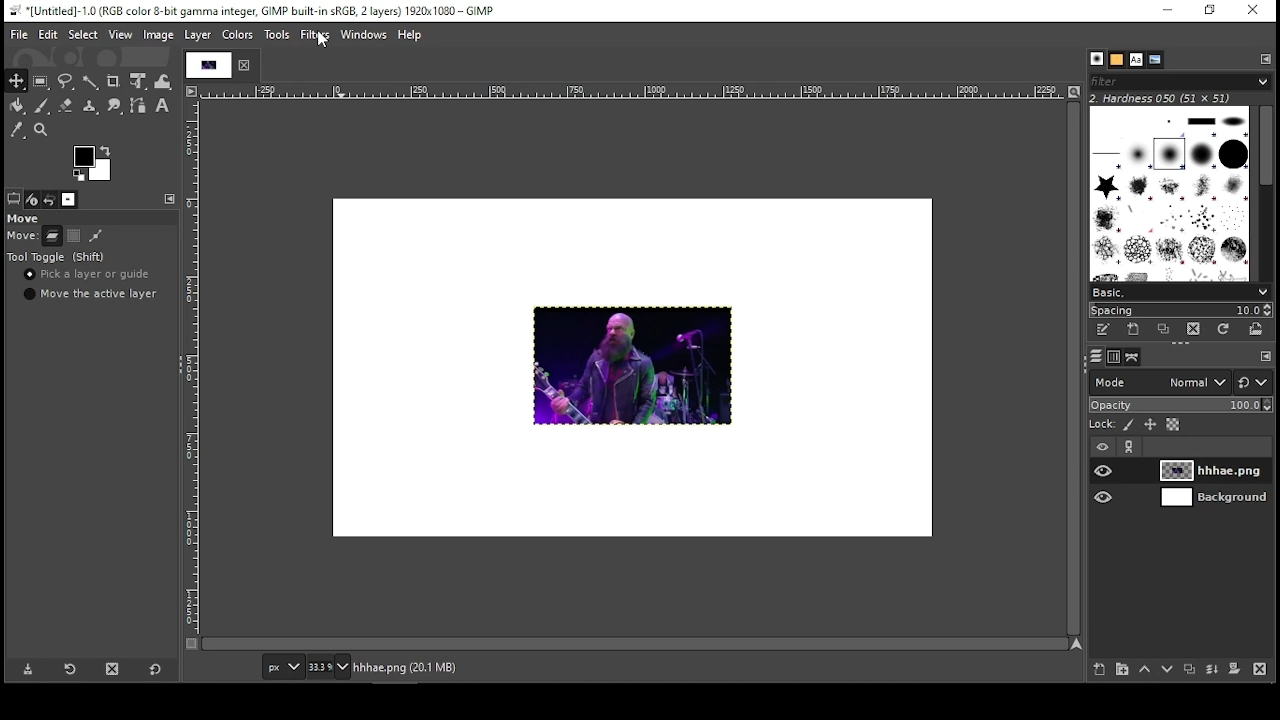 This screenshot has height=720, width=1280. What do you see at coordinates (155, 670) in the screenshot?
I see `restore to defaults` at bounding box center [155, 670].